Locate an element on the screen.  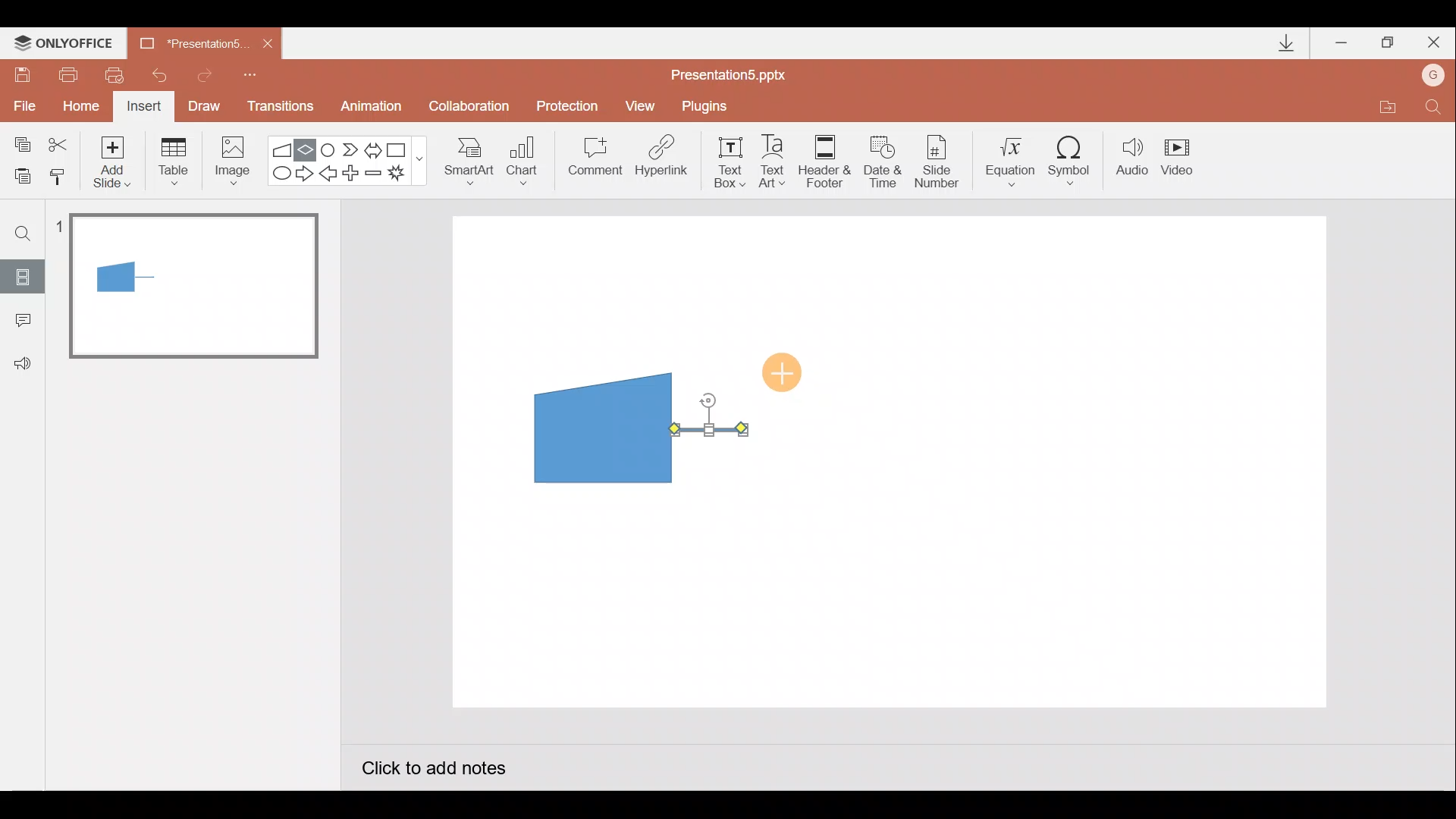
ONLYOFFICE is located at coordinates (67, 43).